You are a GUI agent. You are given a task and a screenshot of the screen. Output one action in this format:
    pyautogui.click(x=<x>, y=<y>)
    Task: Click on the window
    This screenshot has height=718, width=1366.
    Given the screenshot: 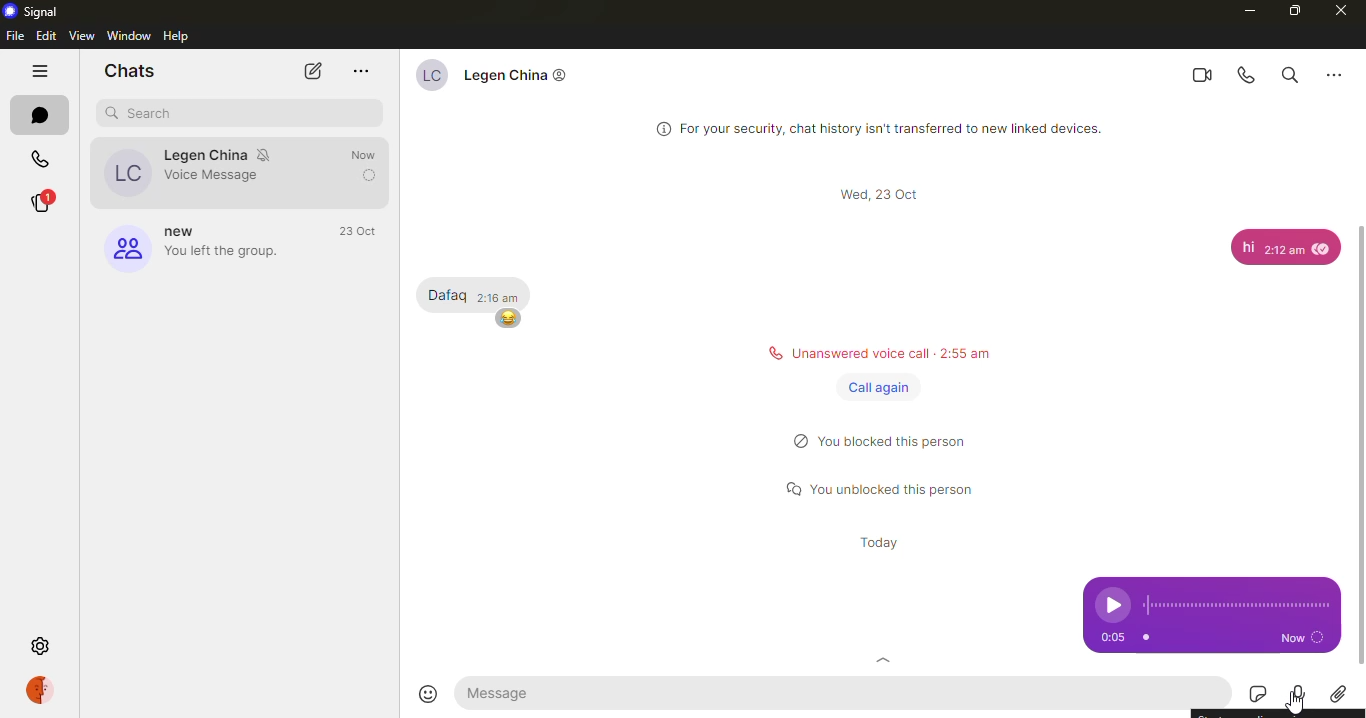 What is the action you would take?
    pyautogui.click(x=130, y=34)
    